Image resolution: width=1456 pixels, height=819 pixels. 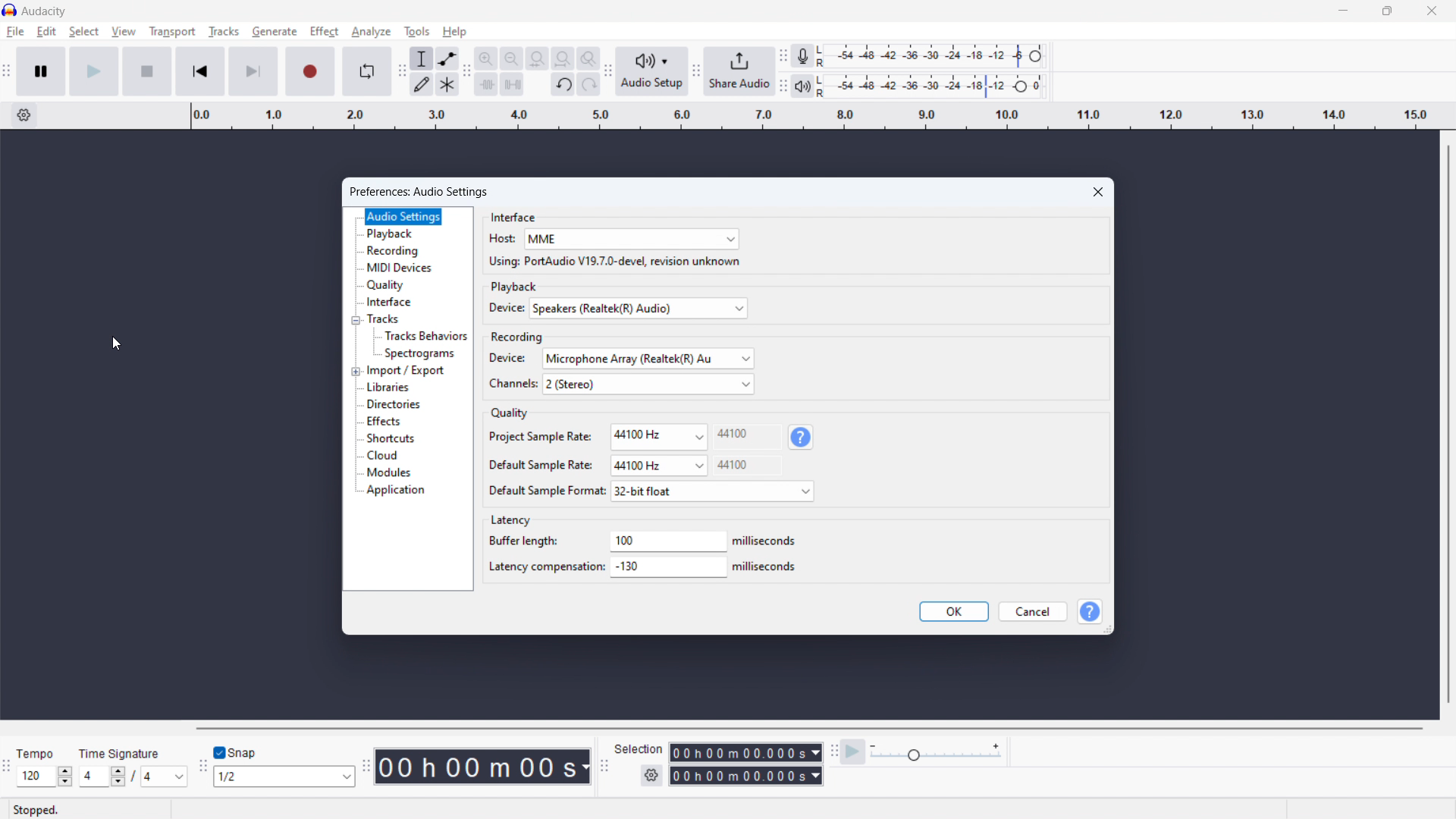 What do you see at coordinates (649, 358) in the screenshot?
I see `select recording device` at bounding box center [649, 358].